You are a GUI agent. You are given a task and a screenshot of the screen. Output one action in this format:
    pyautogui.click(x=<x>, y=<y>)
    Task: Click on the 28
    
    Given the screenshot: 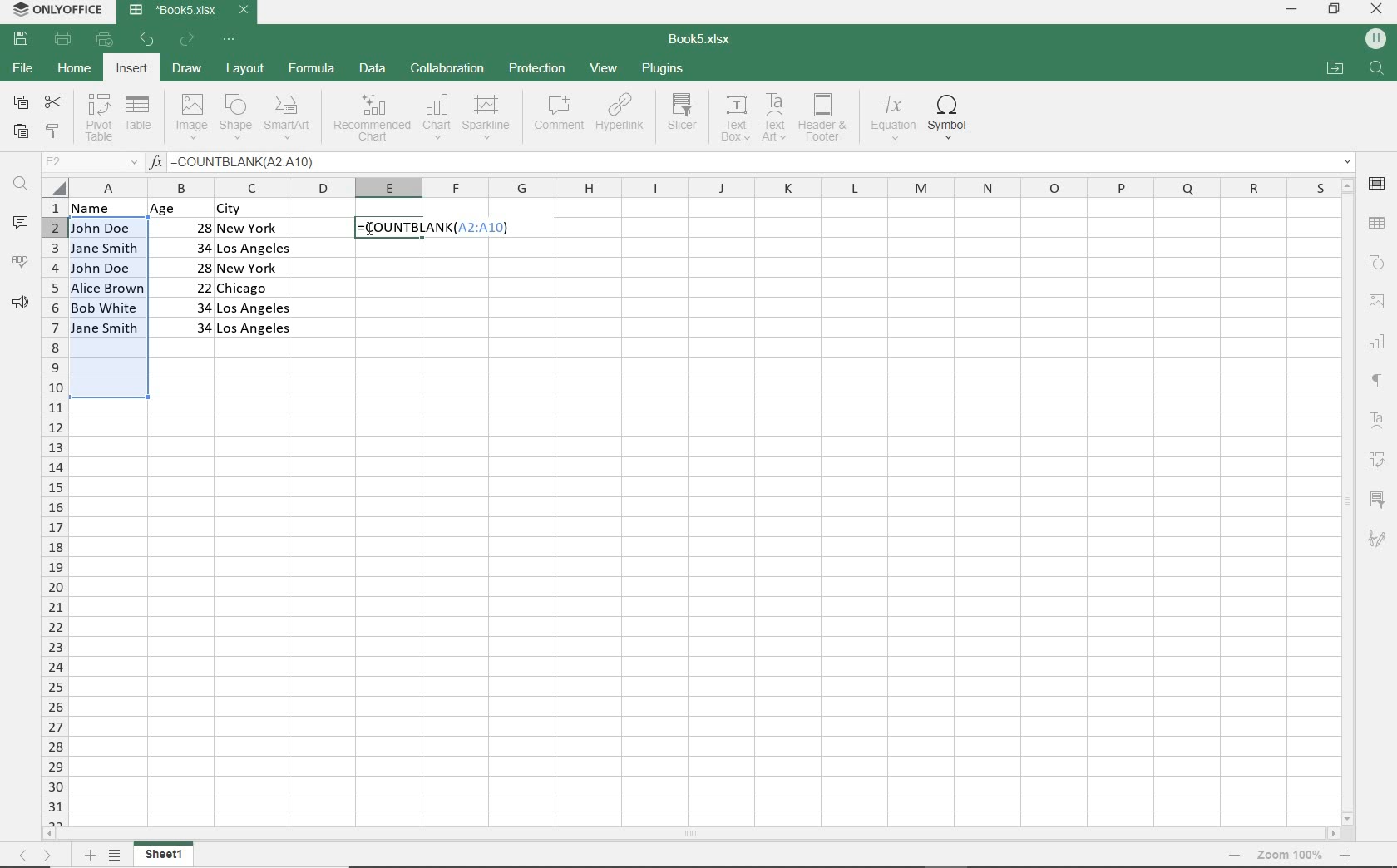 What is the action you would take?
    pyautogui.click(x=194, y=226)
    